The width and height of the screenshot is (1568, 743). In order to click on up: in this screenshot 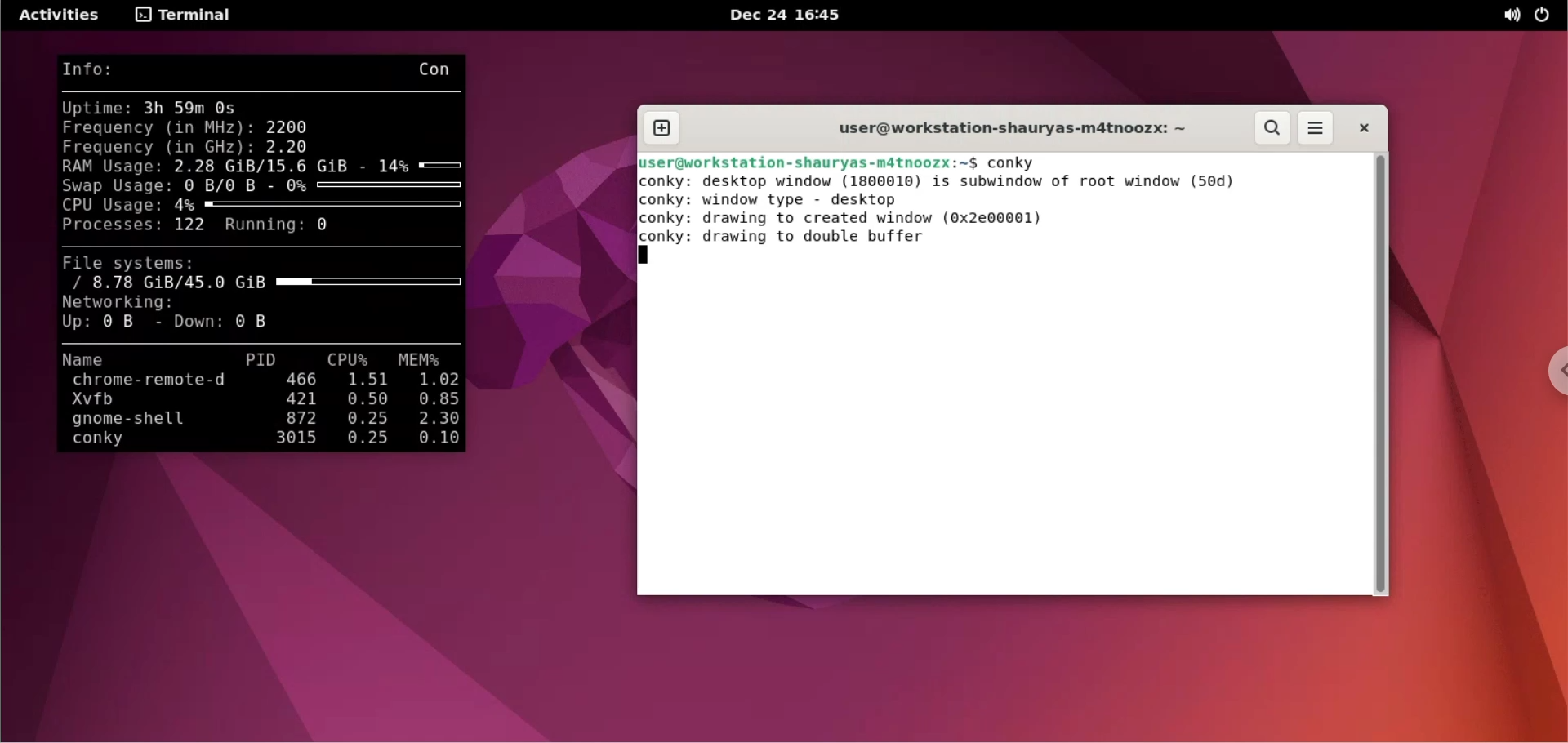, I will do `click(74, 324)`.